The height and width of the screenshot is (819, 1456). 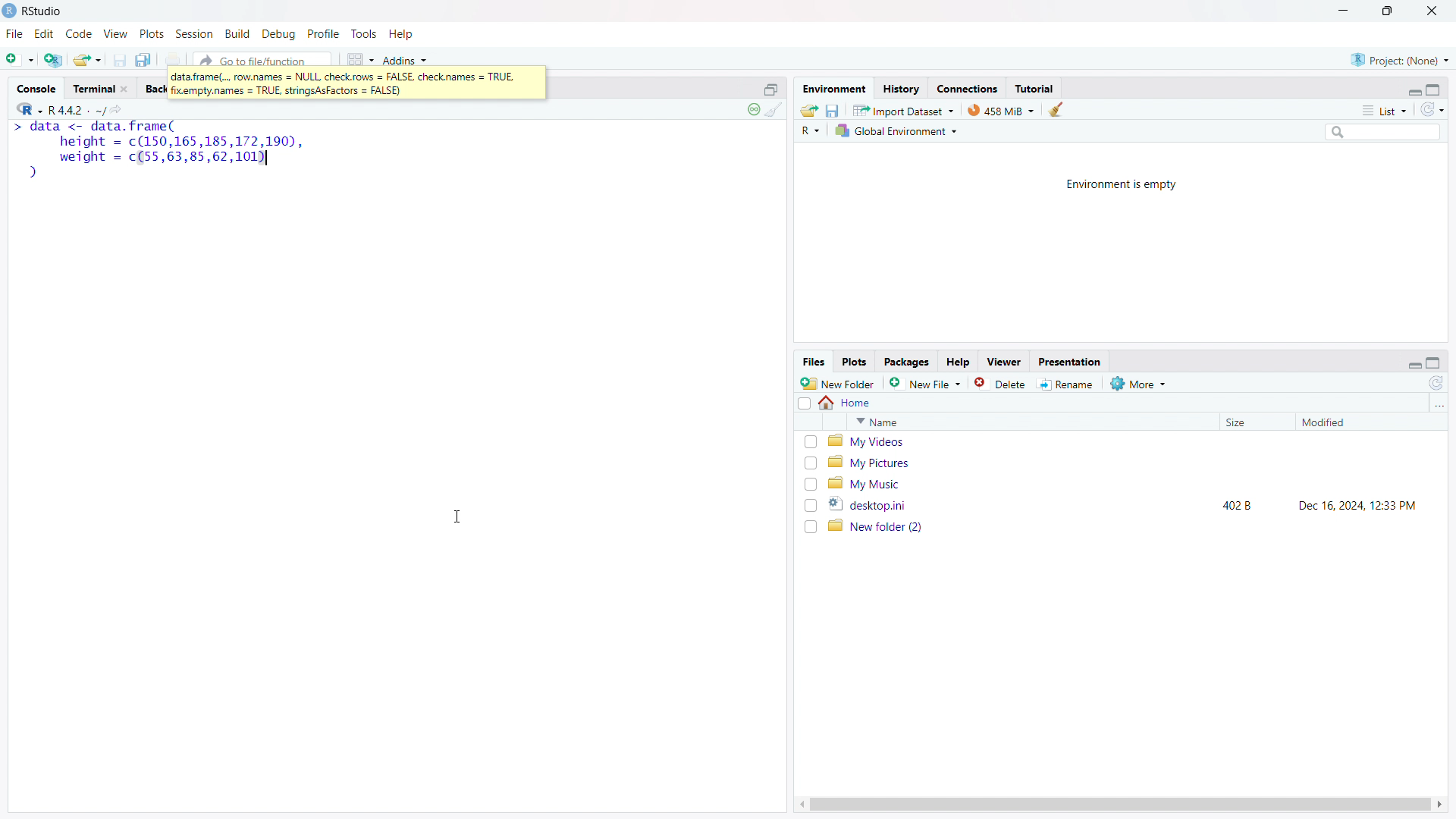 I want to click on help, so click(x=958, y=362).